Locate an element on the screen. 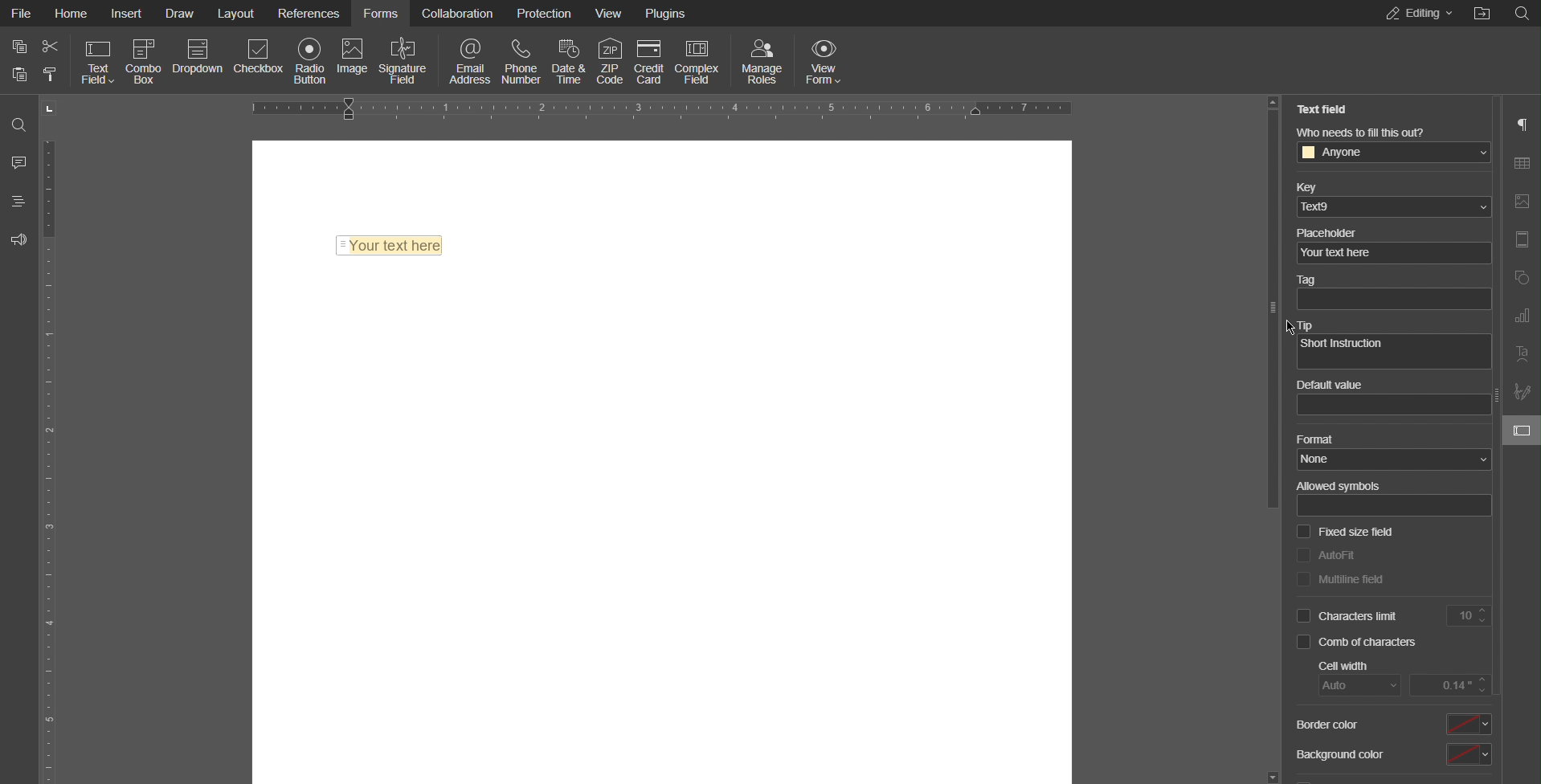 The image size is (1541, 784). checkbox is located at coordinates (1303, 616).